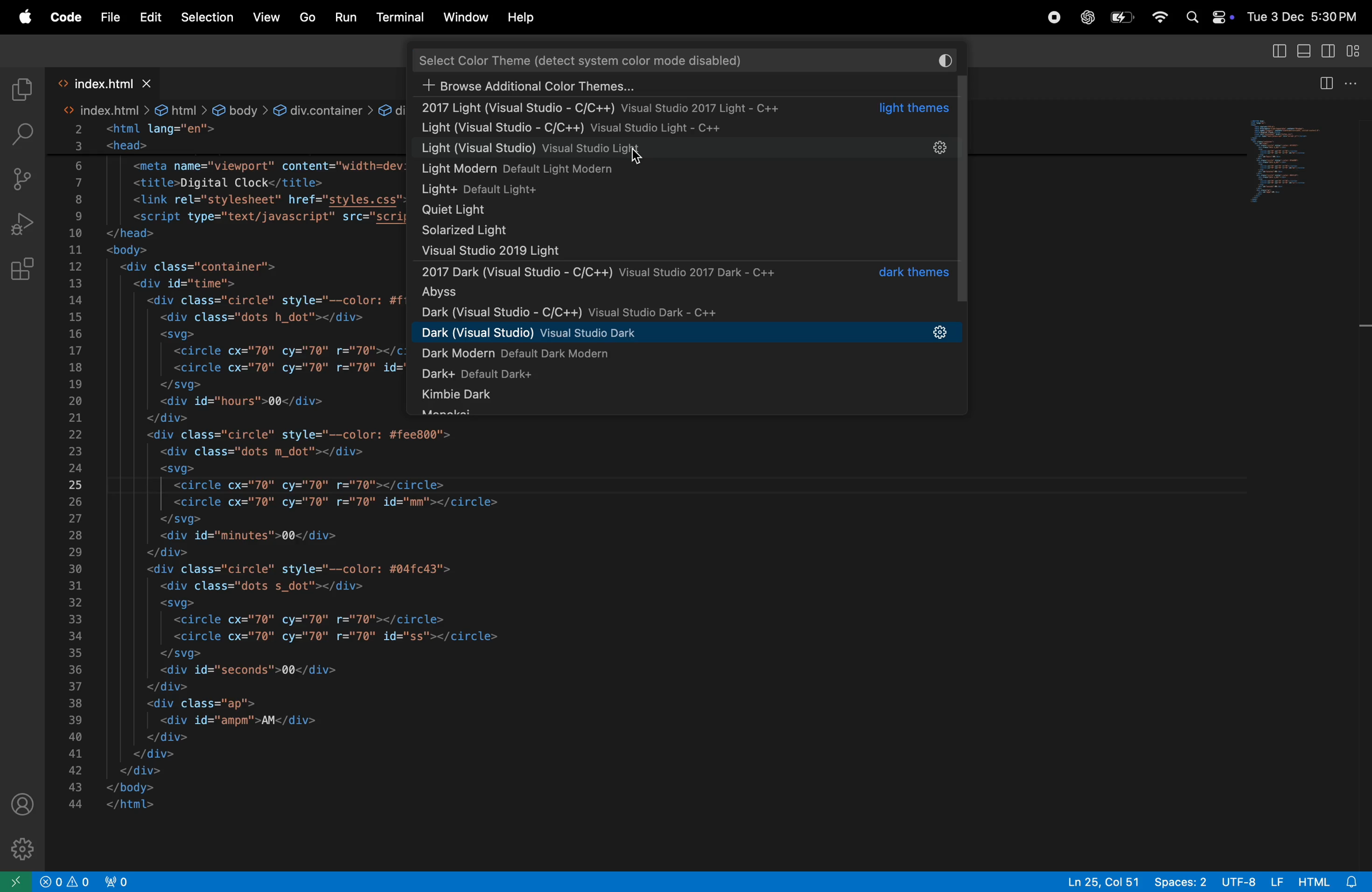  What do you see at coordinates (220, 458) in the screenshot?
I see `code block` at bounding box center [220, 458].